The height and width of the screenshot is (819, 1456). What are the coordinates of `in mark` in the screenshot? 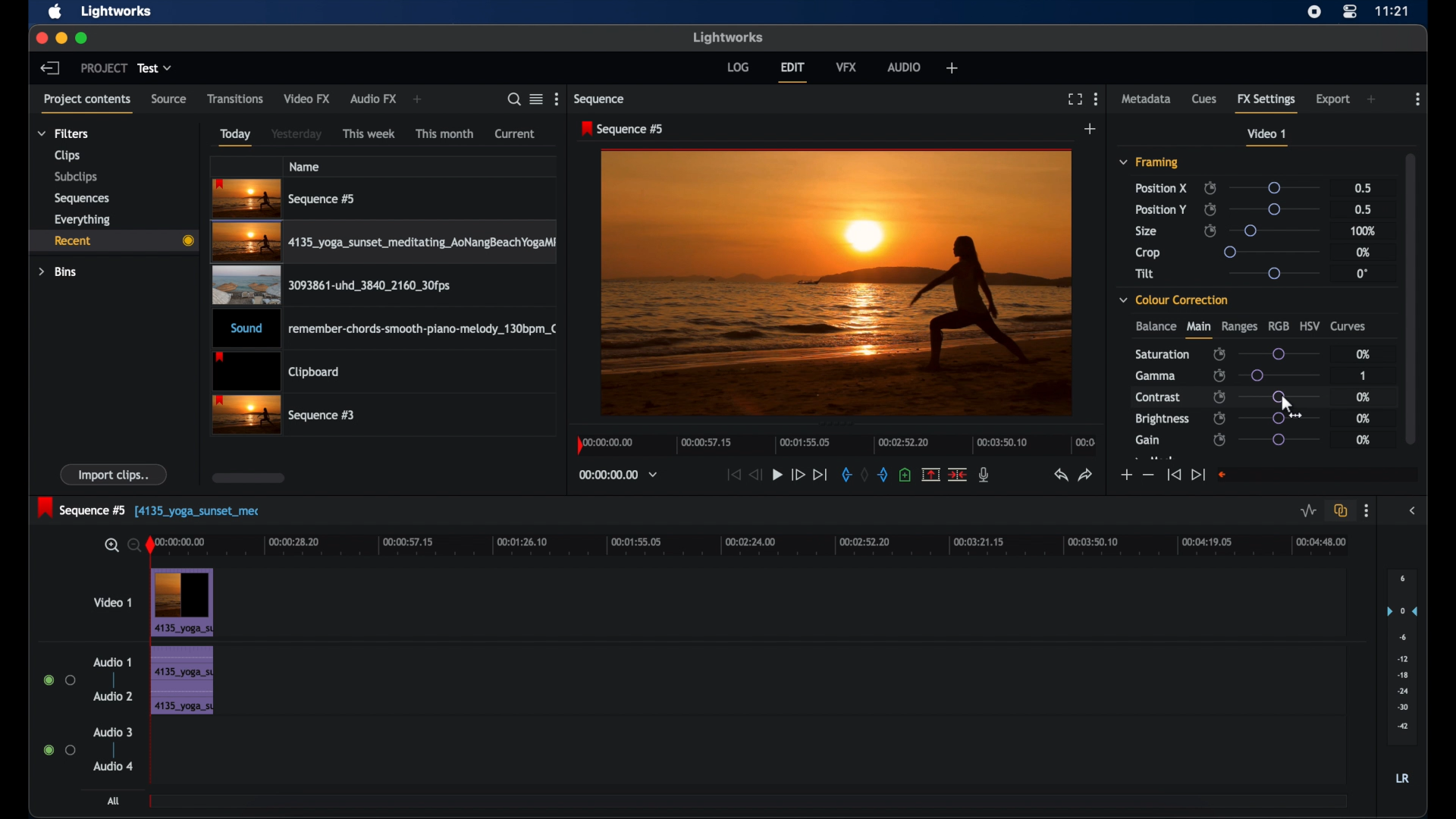 It's located at (846, 477).